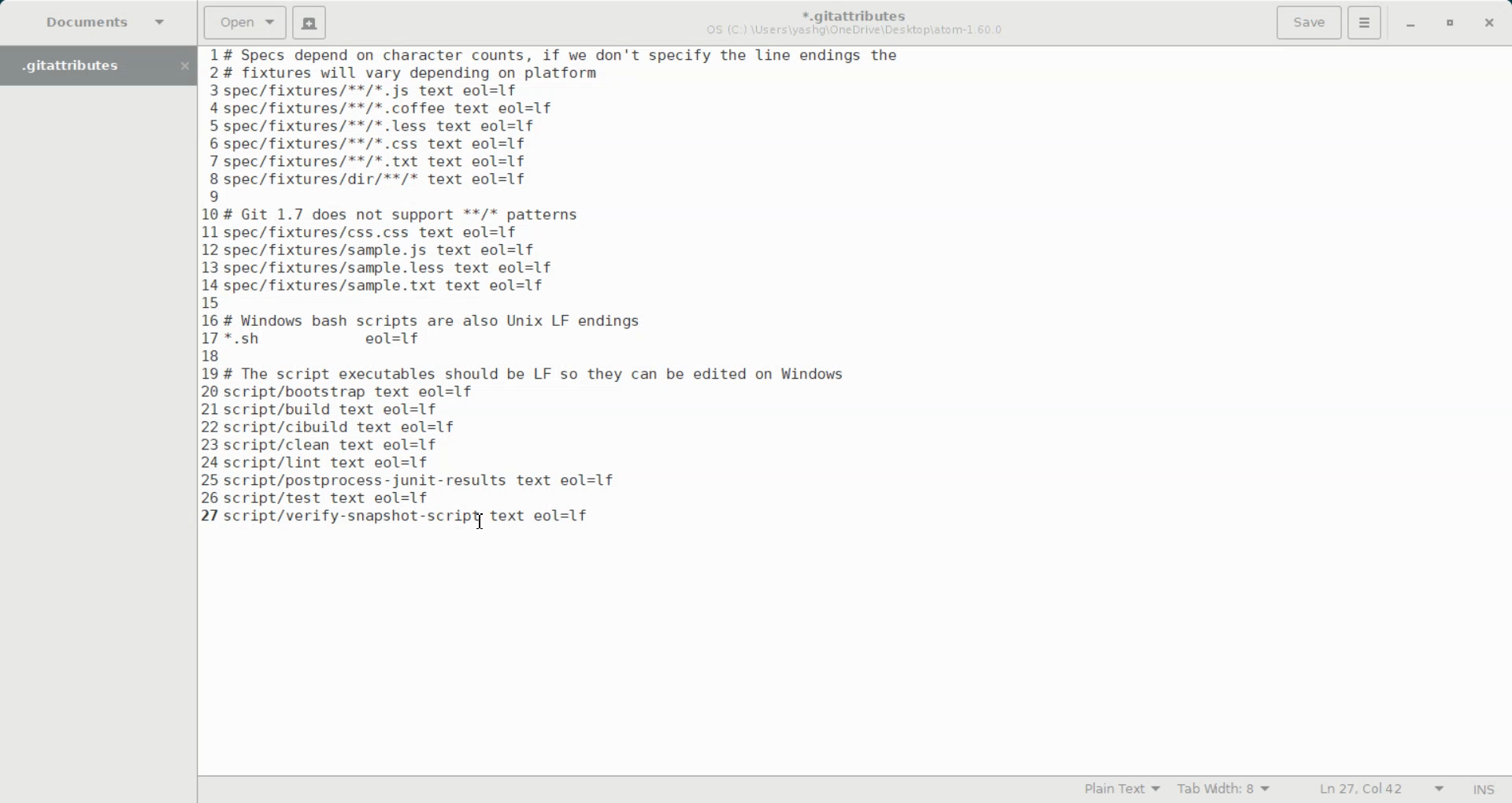 This screenshot has height=803, width=1512. Describe the element at coordinates (1225, 790) in the screenshot. I see `Tab Width: 9` at that location.